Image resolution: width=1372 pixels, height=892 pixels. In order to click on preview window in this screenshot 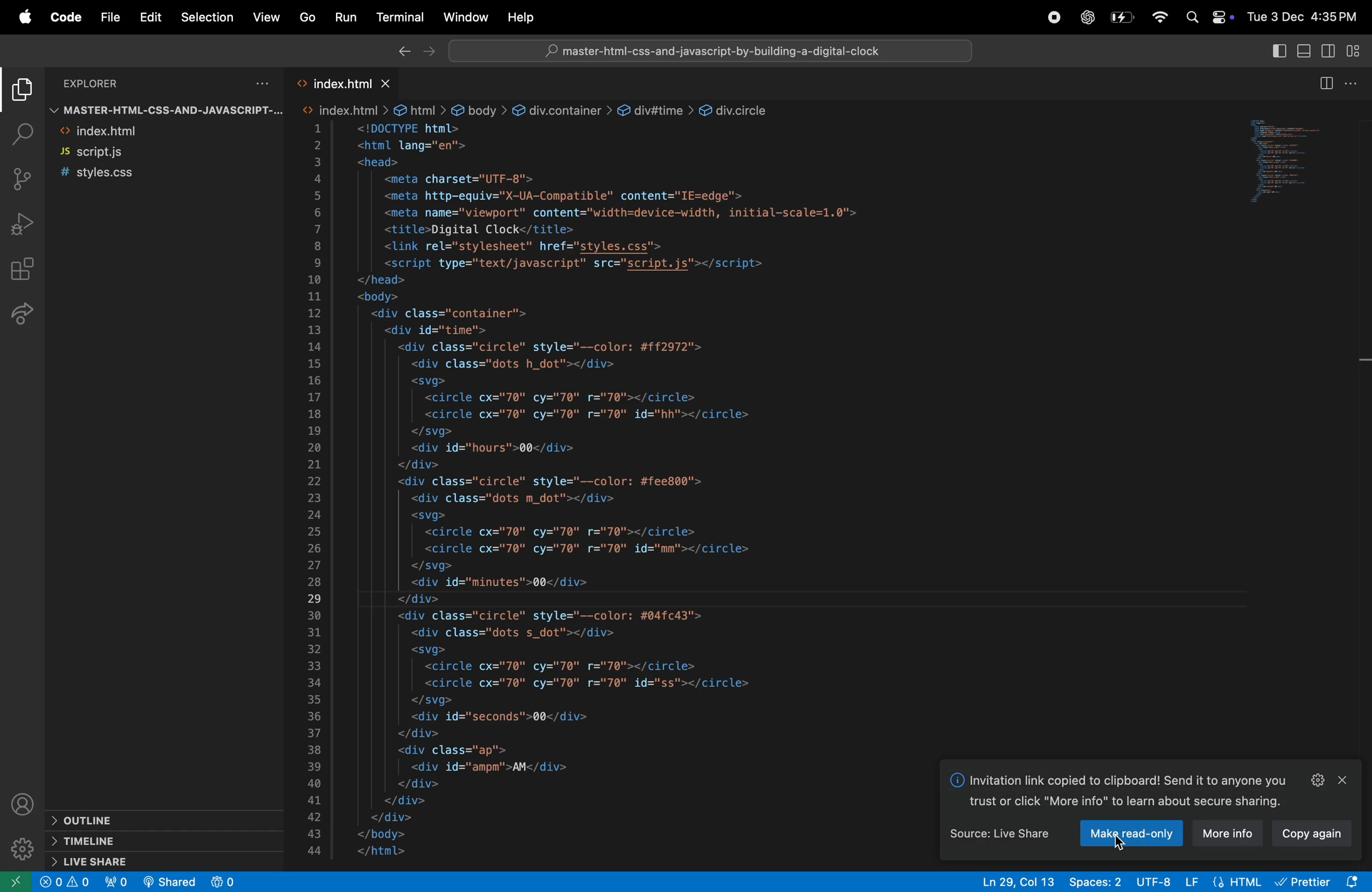, I will do `click(1294, 164)`.